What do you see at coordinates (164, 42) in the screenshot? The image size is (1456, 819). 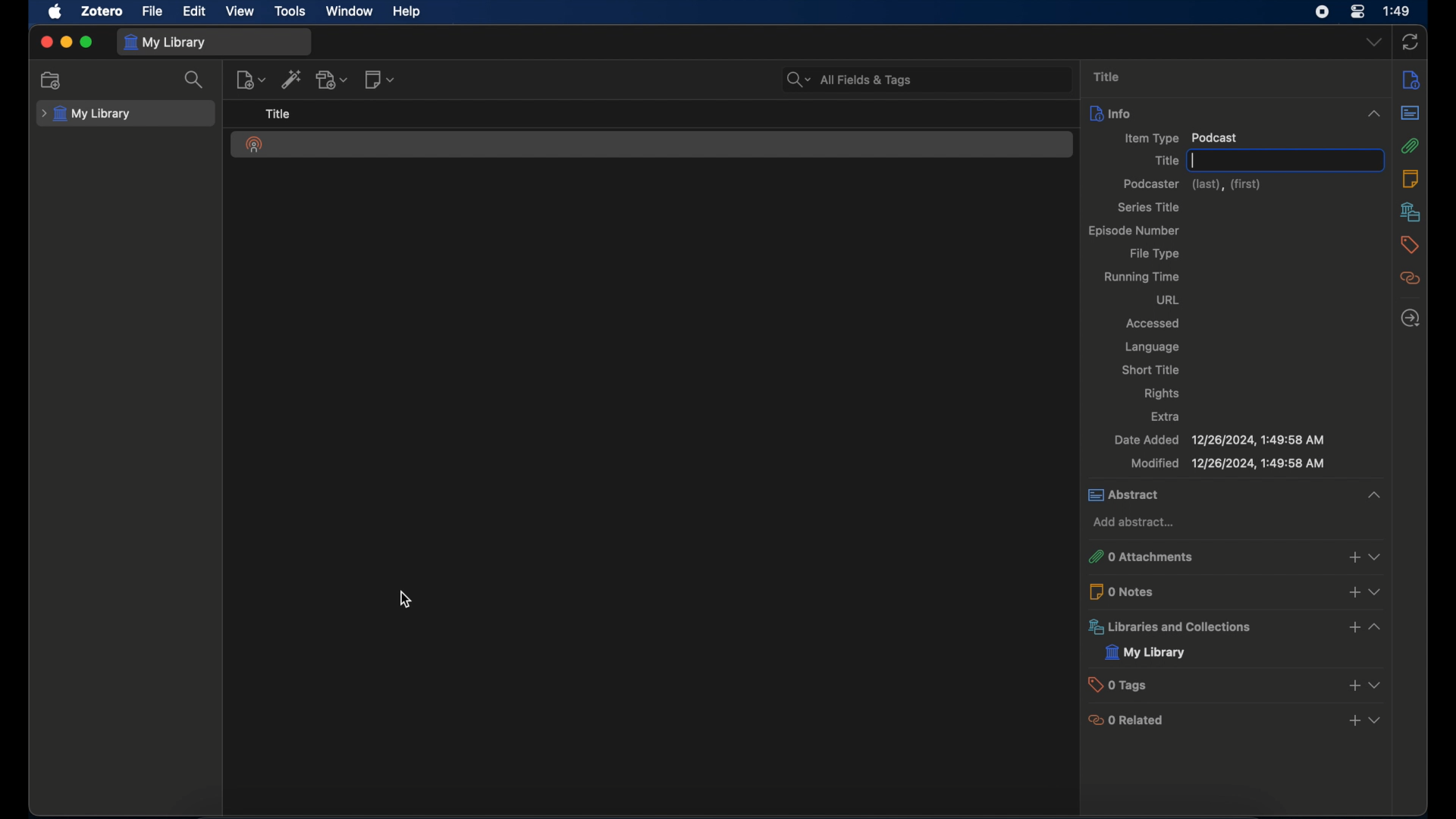 I see `my library` at bounding box center [164, 42].